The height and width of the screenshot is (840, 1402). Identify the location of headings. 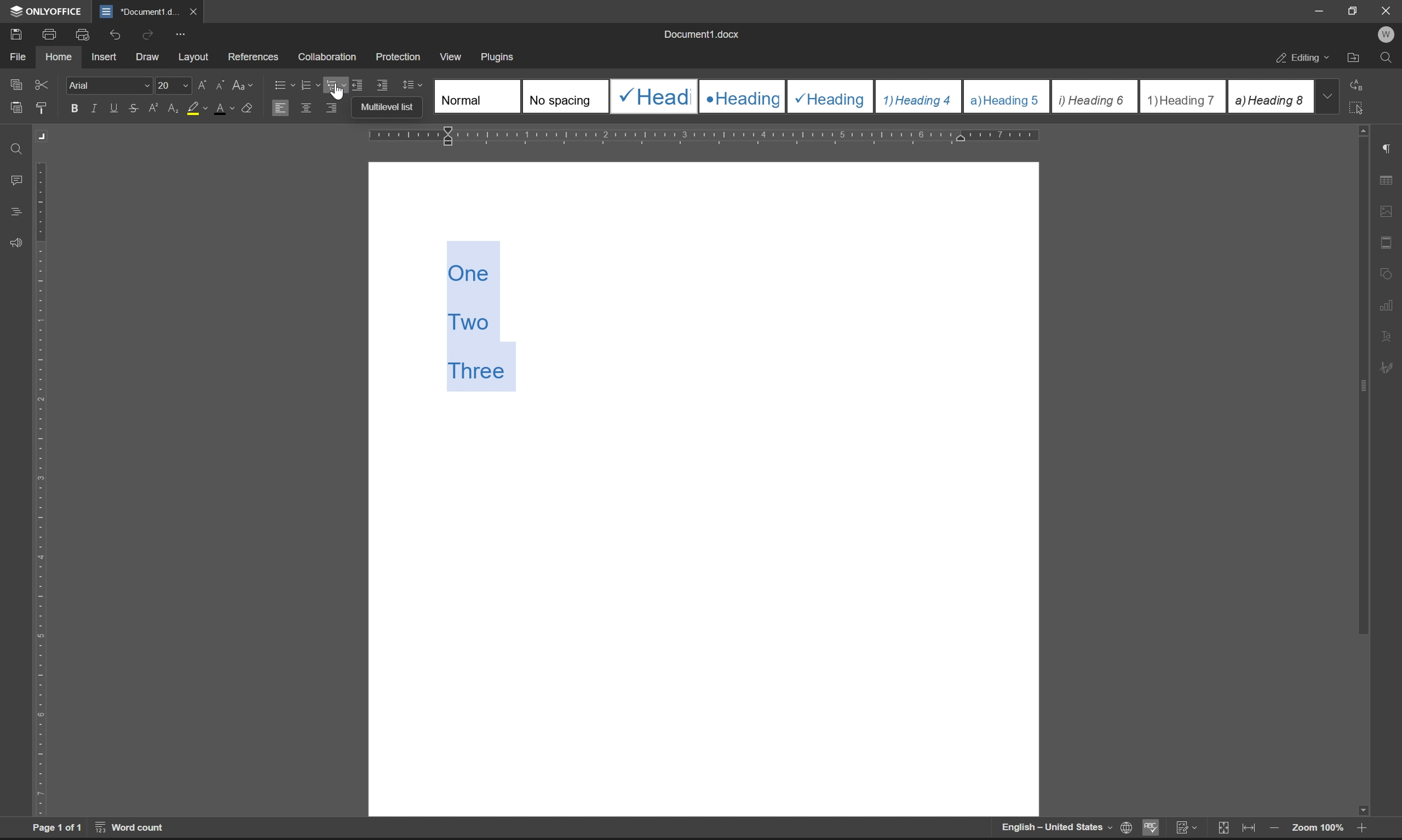
(16, 212).